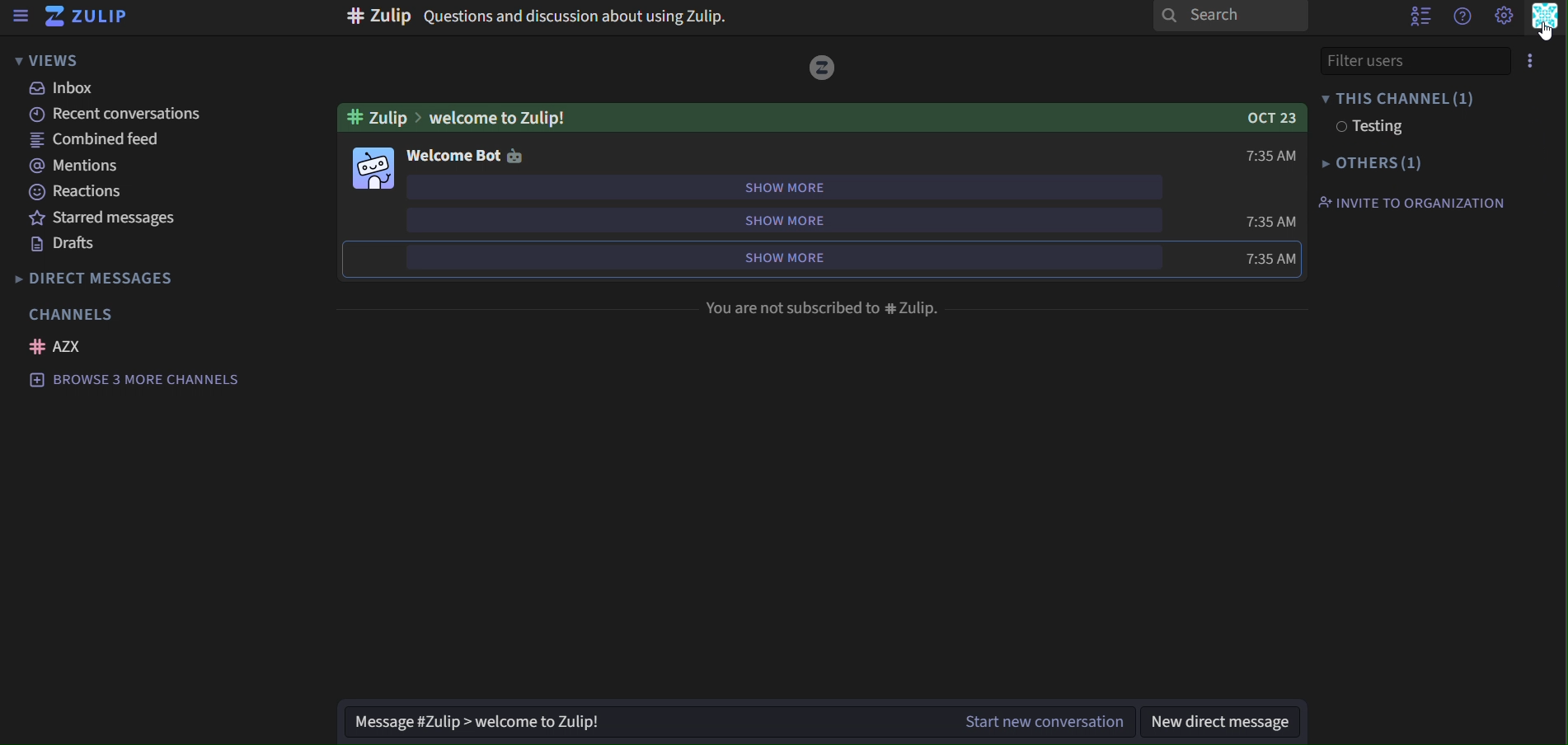  What do you see at coordinates (793, 223) in the screenshot?
I see `show more` at bounding box center [793, 223].